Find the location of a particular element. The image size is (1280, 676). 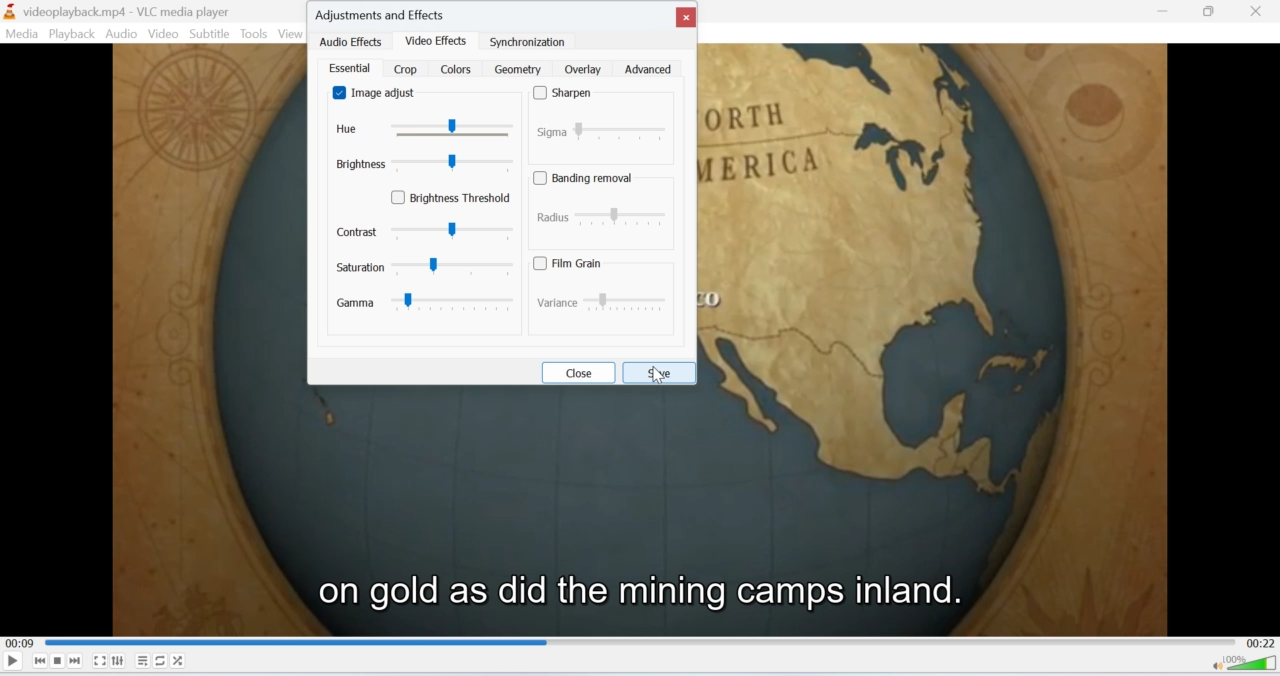

Playbar is located at coordinates (640, 641).